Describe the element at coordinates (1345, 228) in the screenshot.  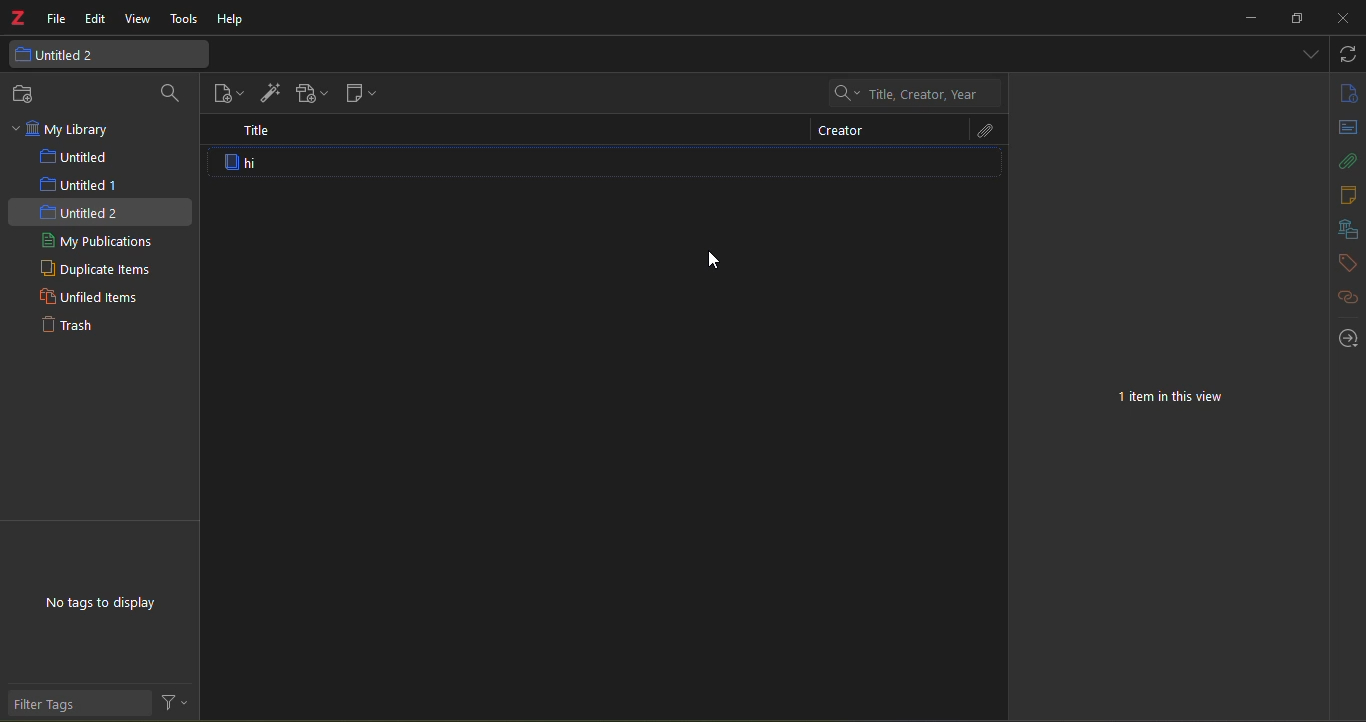
I see `library` at that location.